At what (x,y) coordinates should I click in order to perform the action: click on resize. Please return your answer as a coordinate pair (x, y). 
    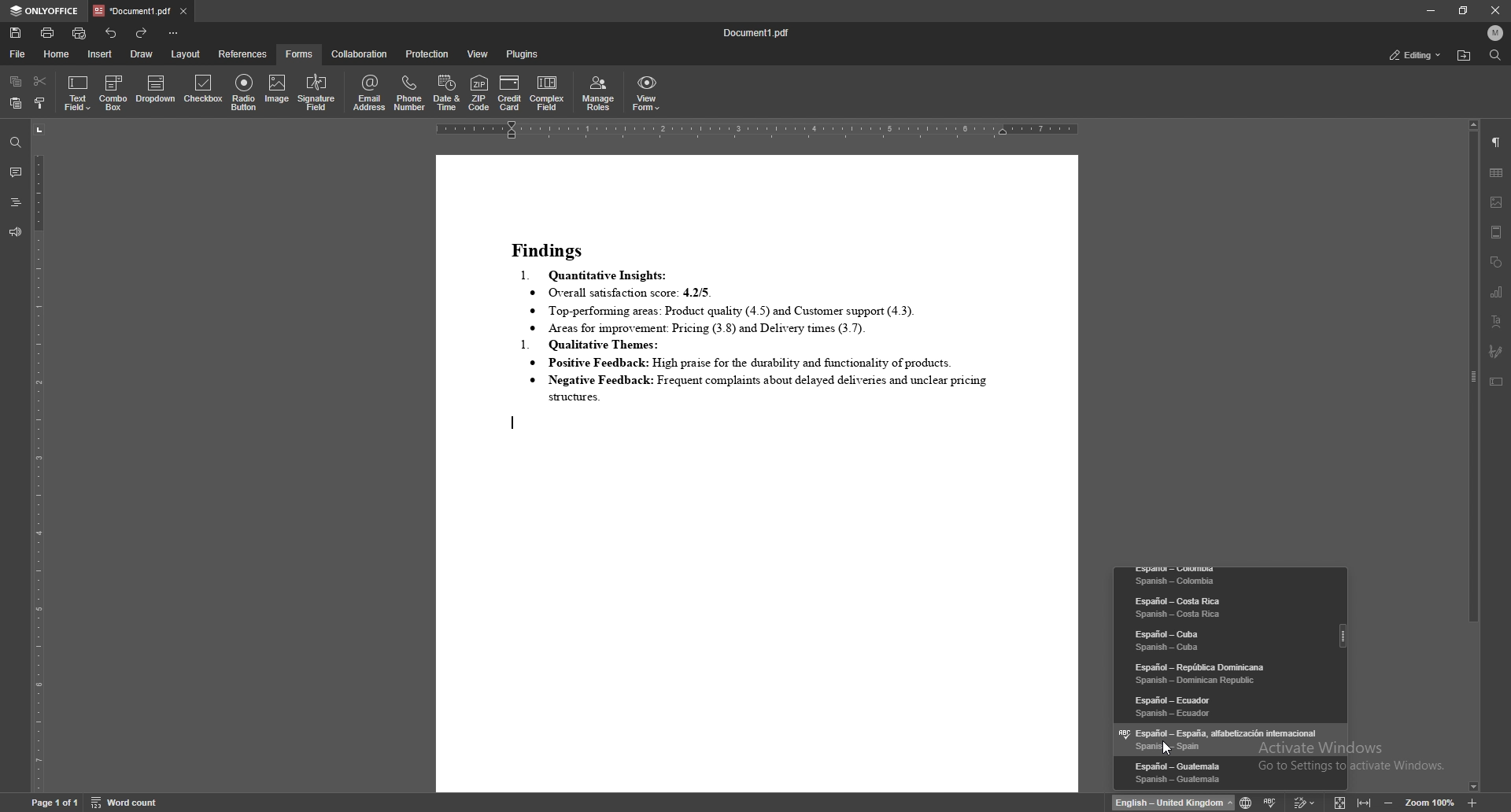
    Looking at the image, I should click on (1463, 10).